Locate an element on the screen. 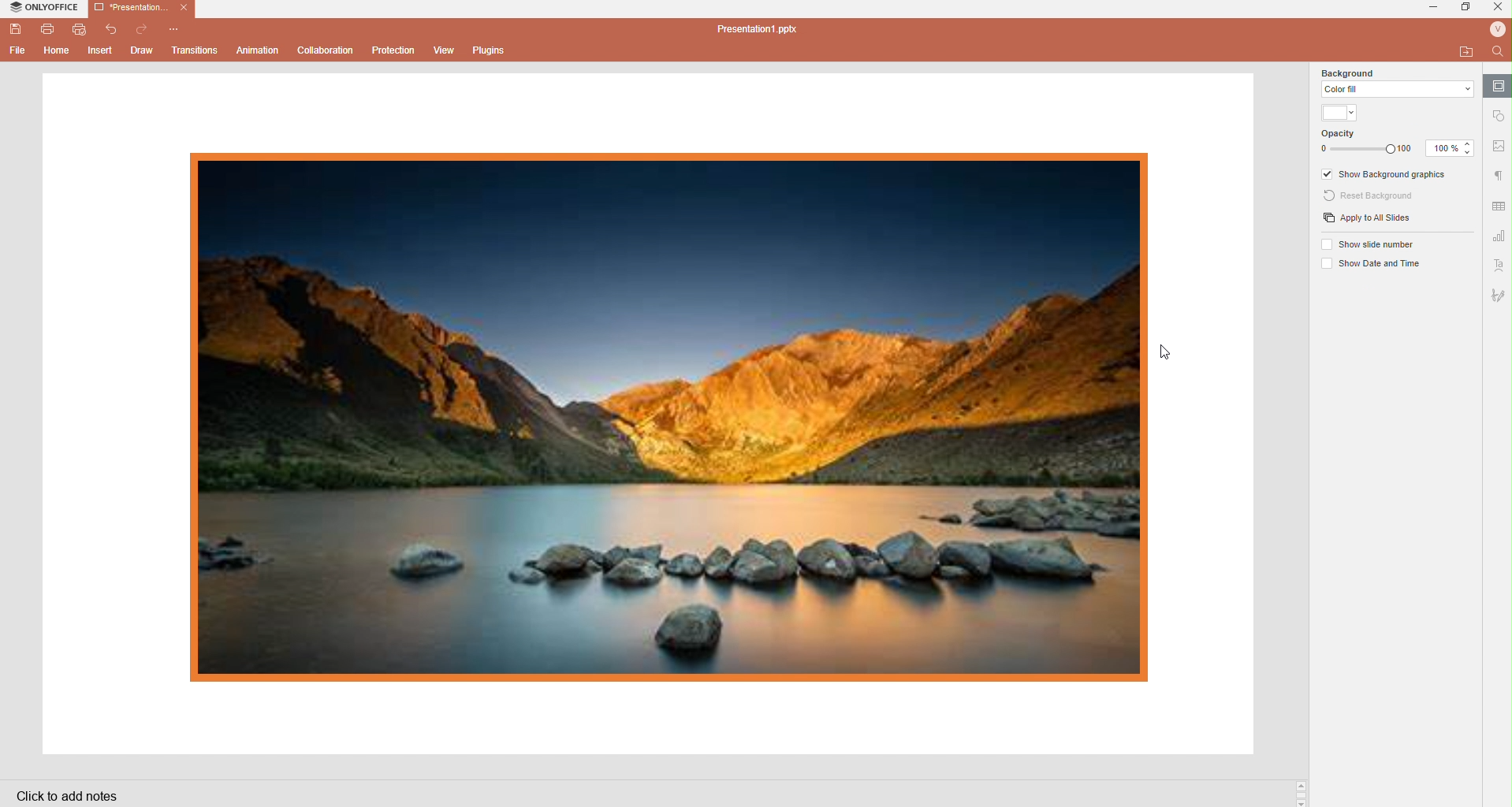  Print file is located at coordinates (47, 30).